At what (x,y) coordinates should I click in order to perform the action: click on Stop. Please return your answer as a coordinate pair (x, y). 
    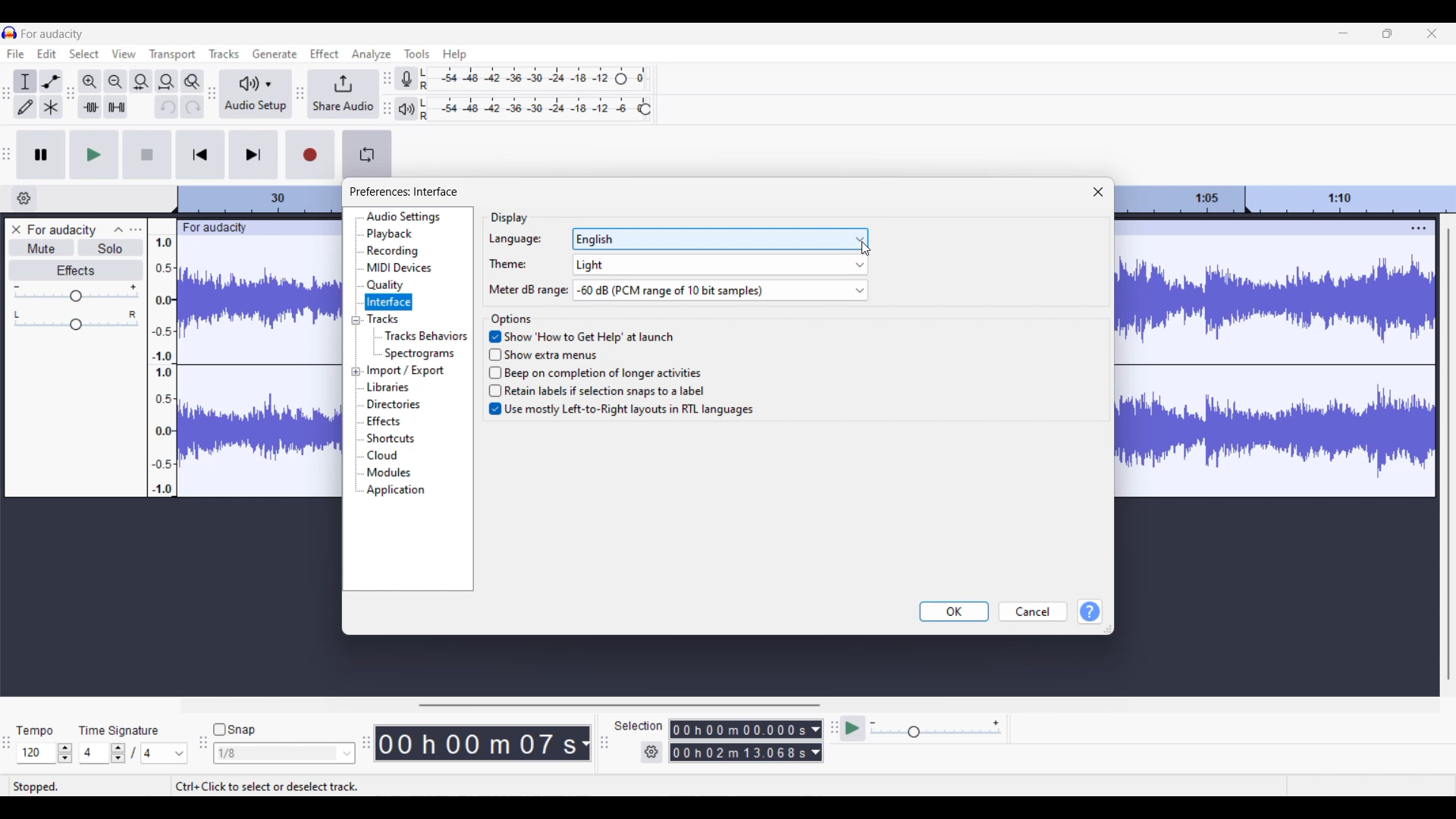
    Looking at the image, I should click on (149, 155).